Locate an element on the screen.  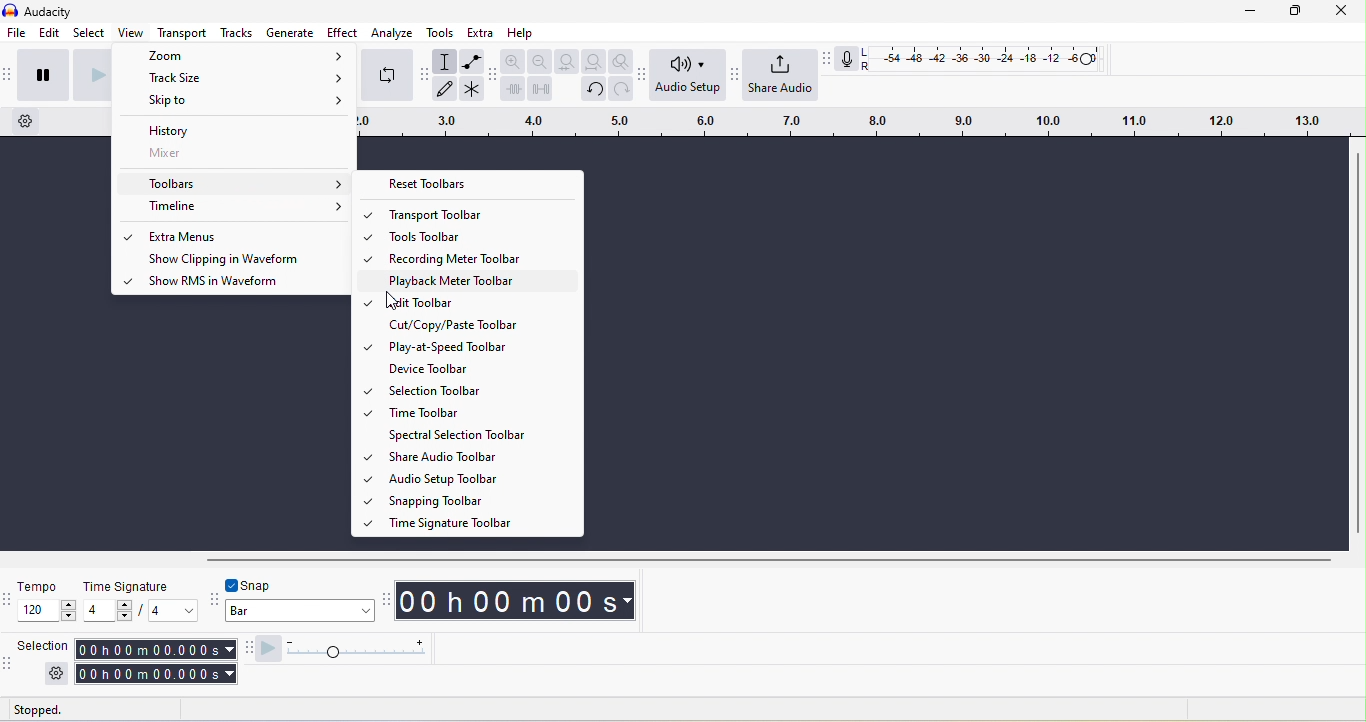
view is located at coordinates (131, 32).